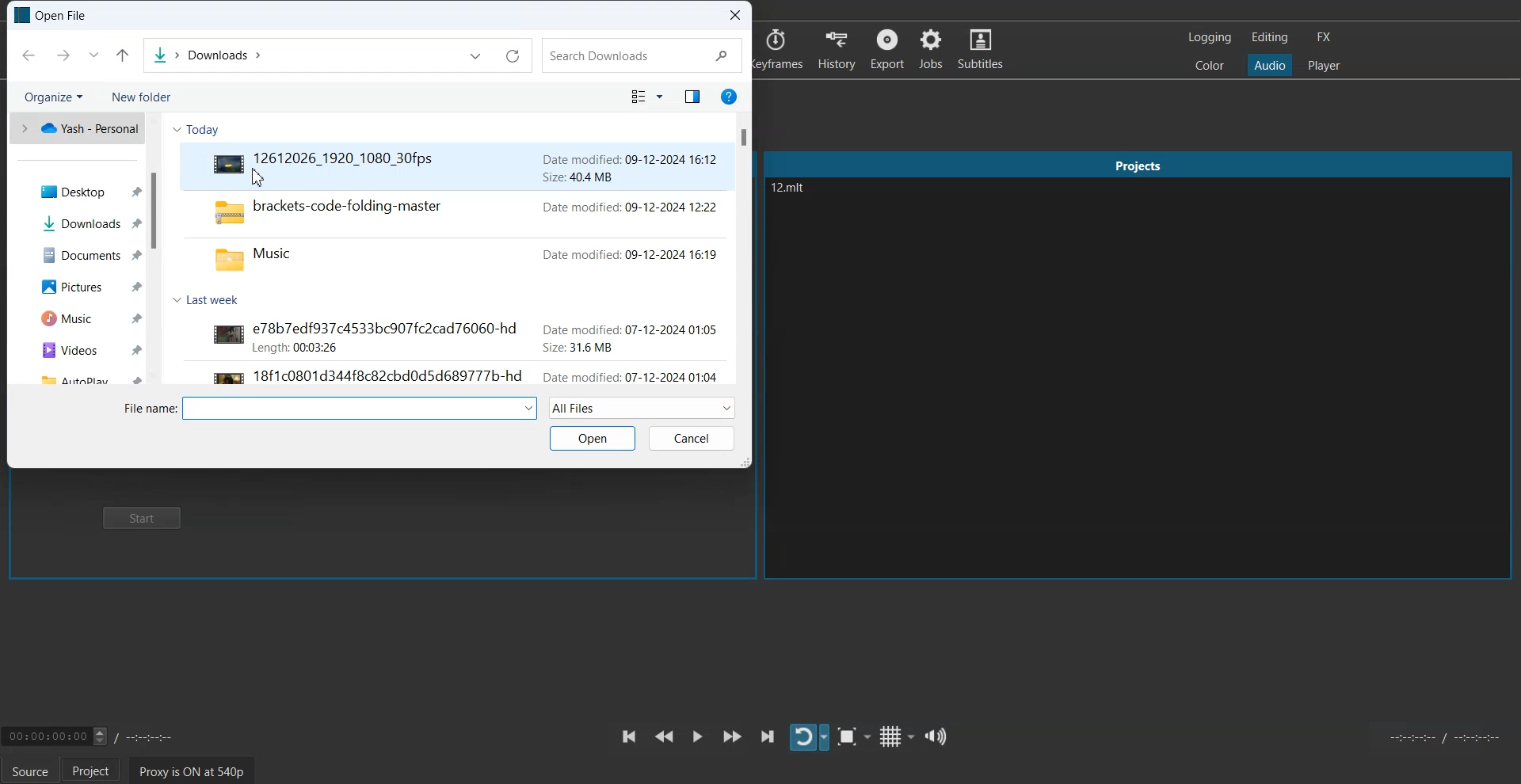 Image resolution: width=1521 pixels, height=784 pixels. Describe the element at coordinates (78, 256) in the screenshot. I see `Documents` at that location.